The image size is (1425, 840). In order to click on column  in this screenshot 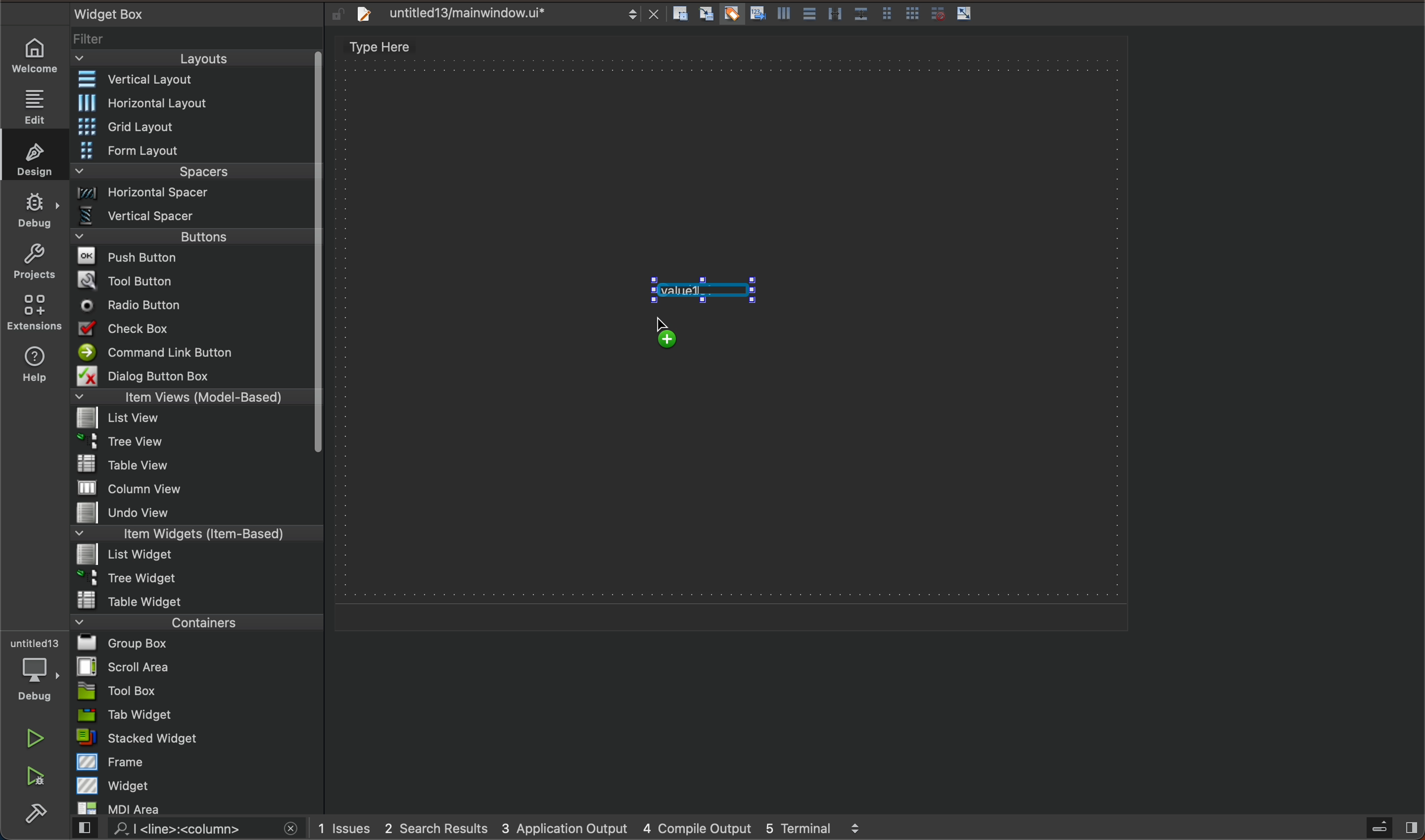, I will do `click(198, 487)`.